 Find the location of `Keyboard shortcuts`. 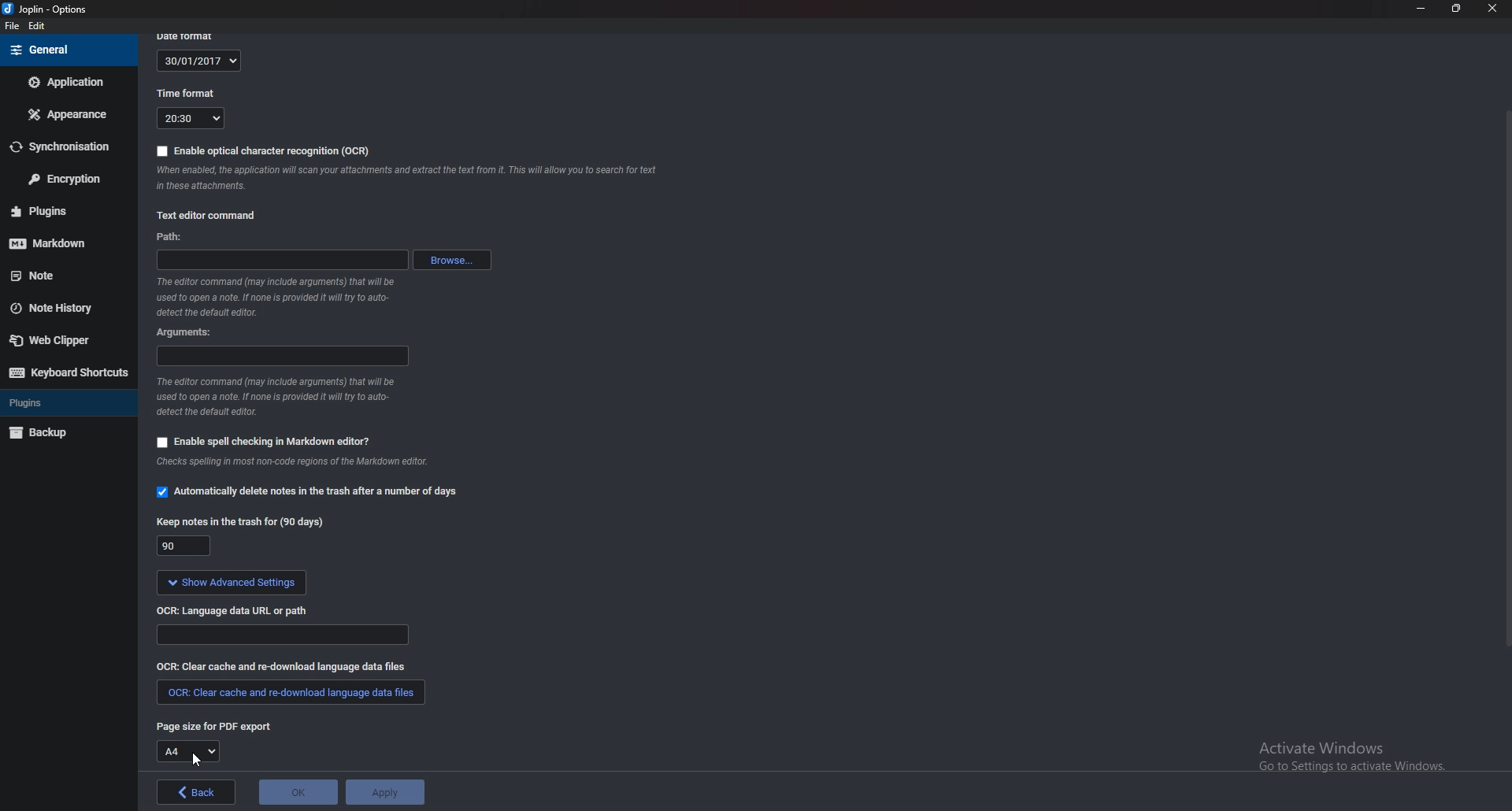

Keyboard shortcuts is located at coordinates (66, 373).